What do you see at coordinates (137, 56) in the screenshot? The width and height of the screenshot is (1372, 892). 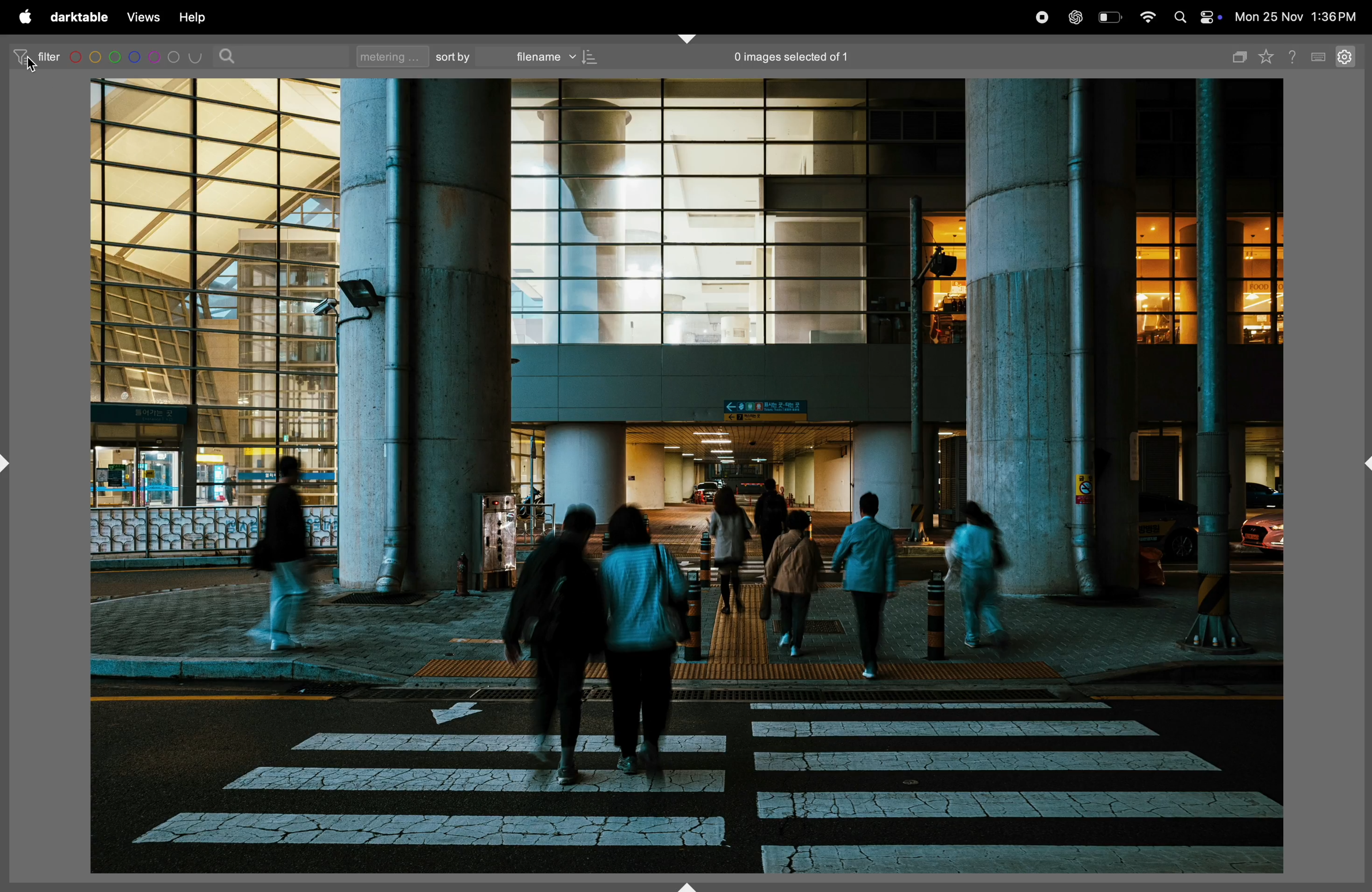 I see `color code` at bounding box center [137, 56].